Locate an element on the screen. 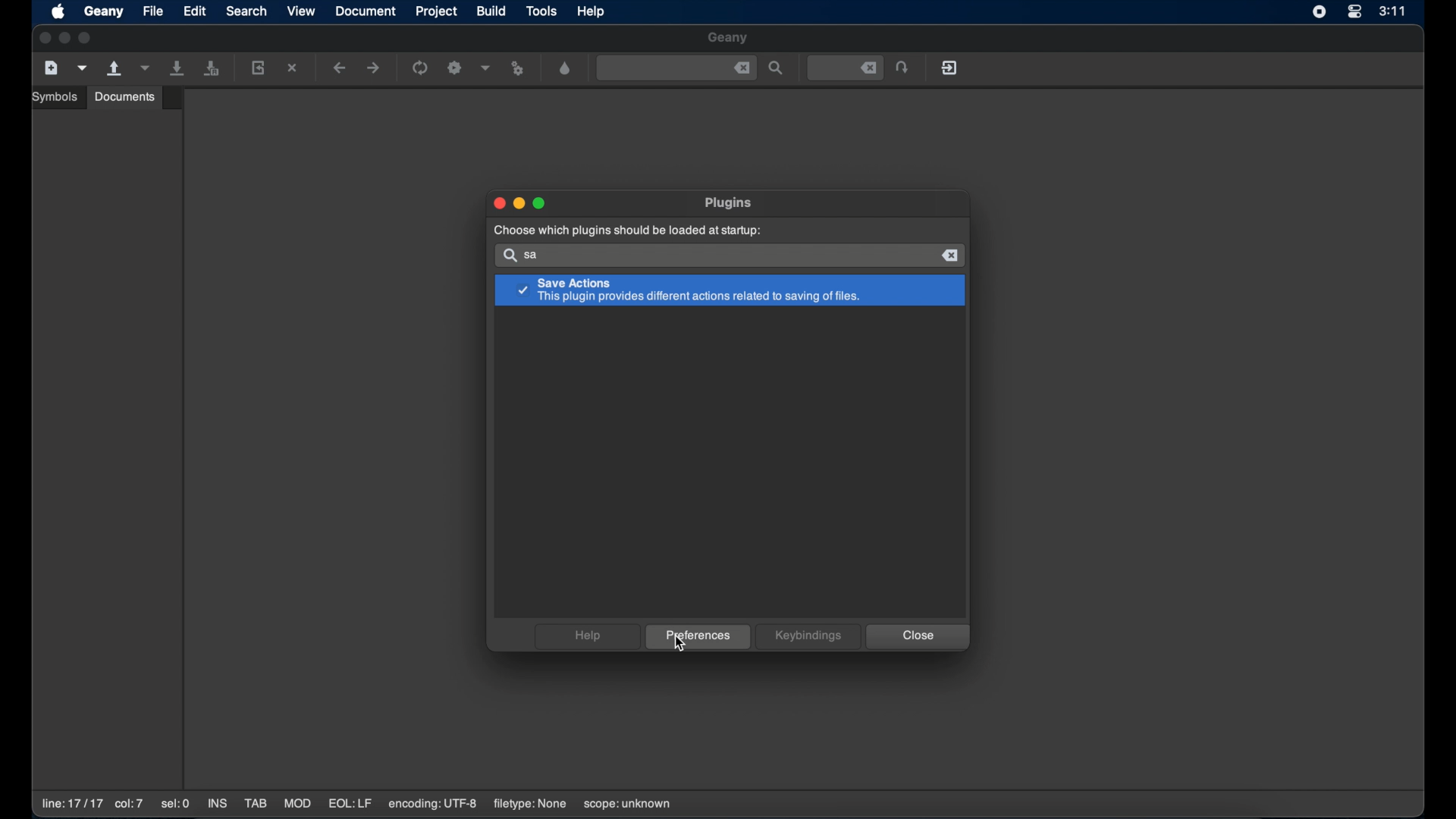  documents is located at coordinates (125, 96).